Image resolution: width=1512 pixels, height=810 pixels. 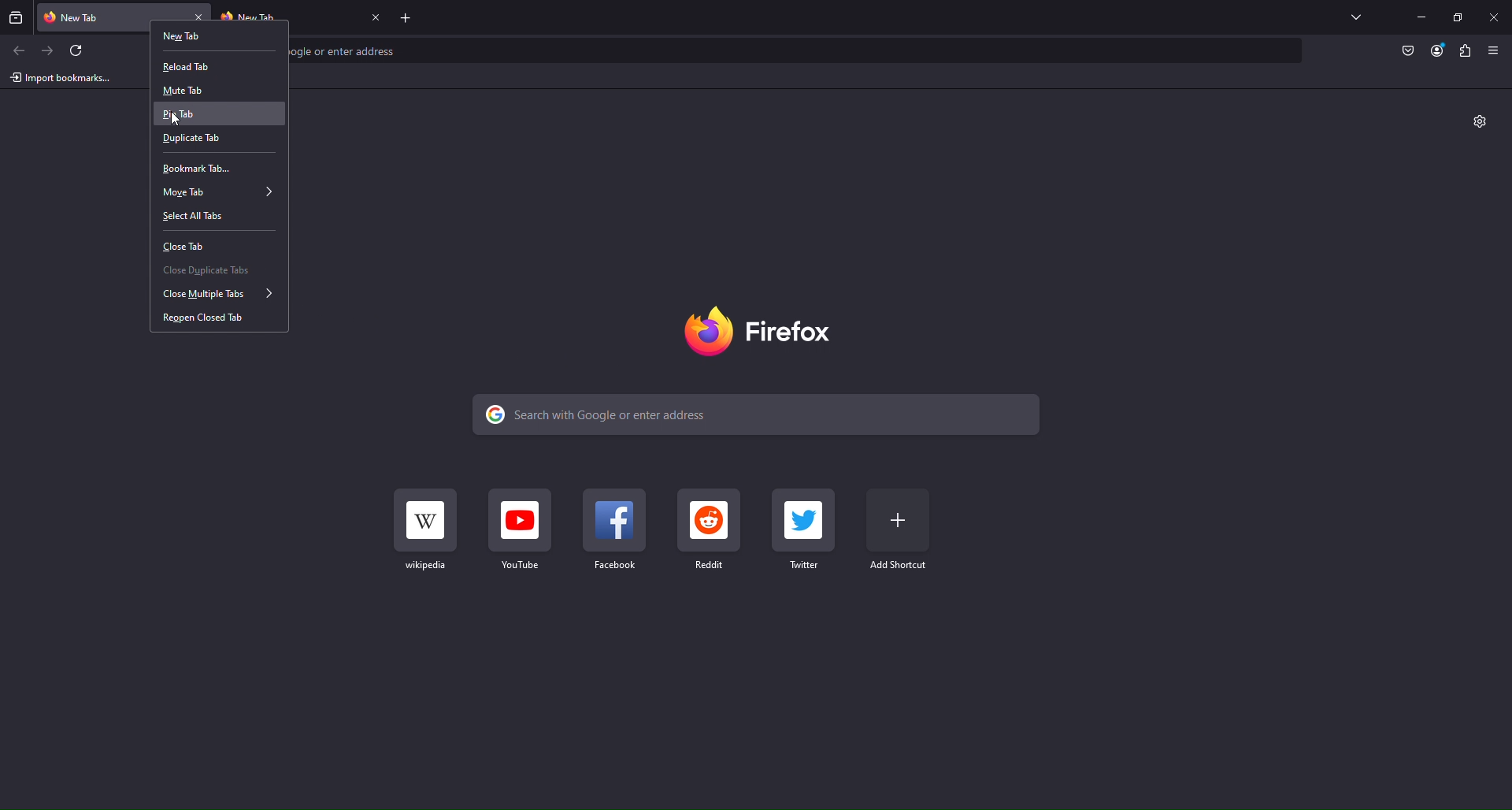 I want to click on close tab, so click(x=377, y=18).